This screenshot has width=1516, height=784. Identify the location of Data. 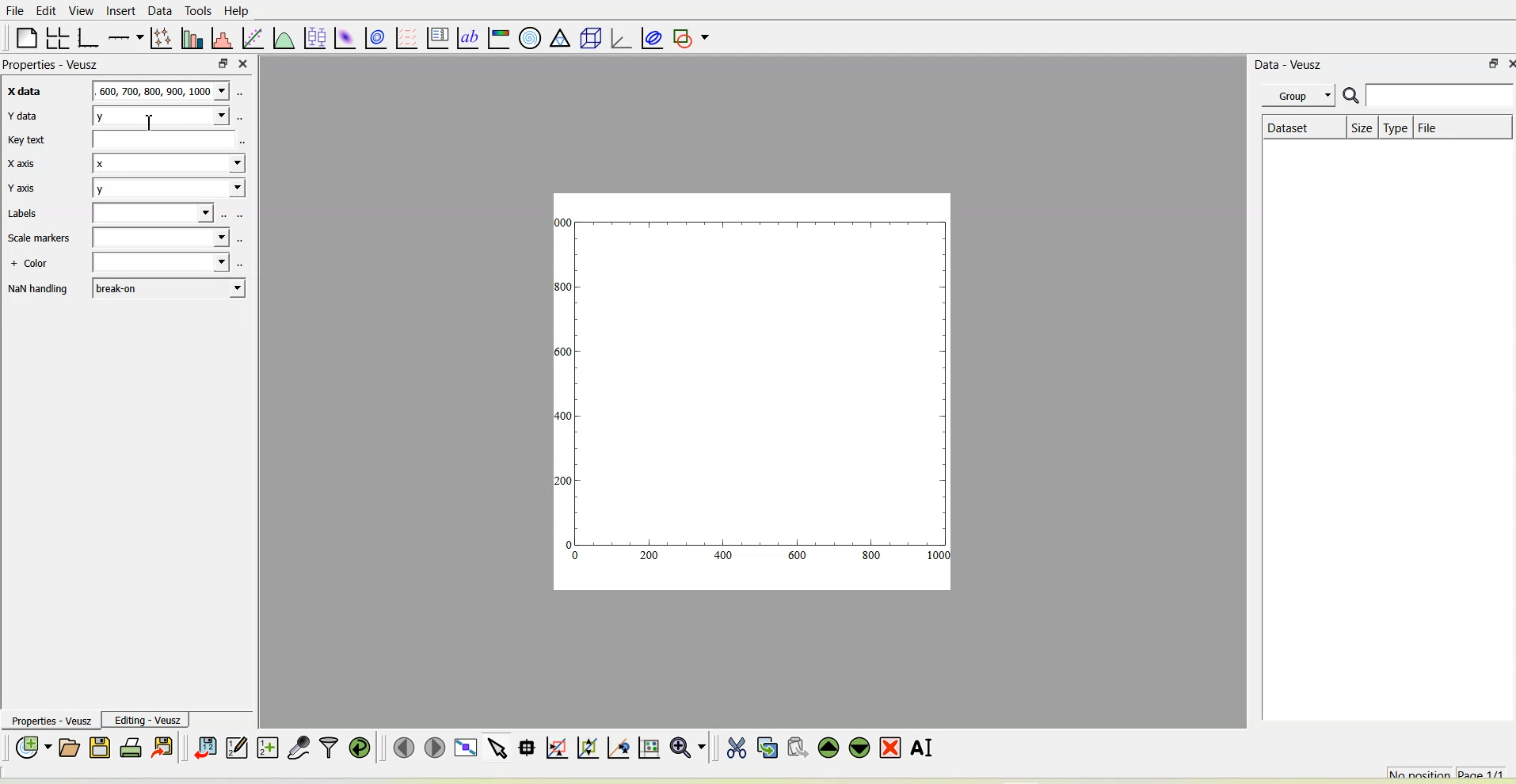
(158, 10).